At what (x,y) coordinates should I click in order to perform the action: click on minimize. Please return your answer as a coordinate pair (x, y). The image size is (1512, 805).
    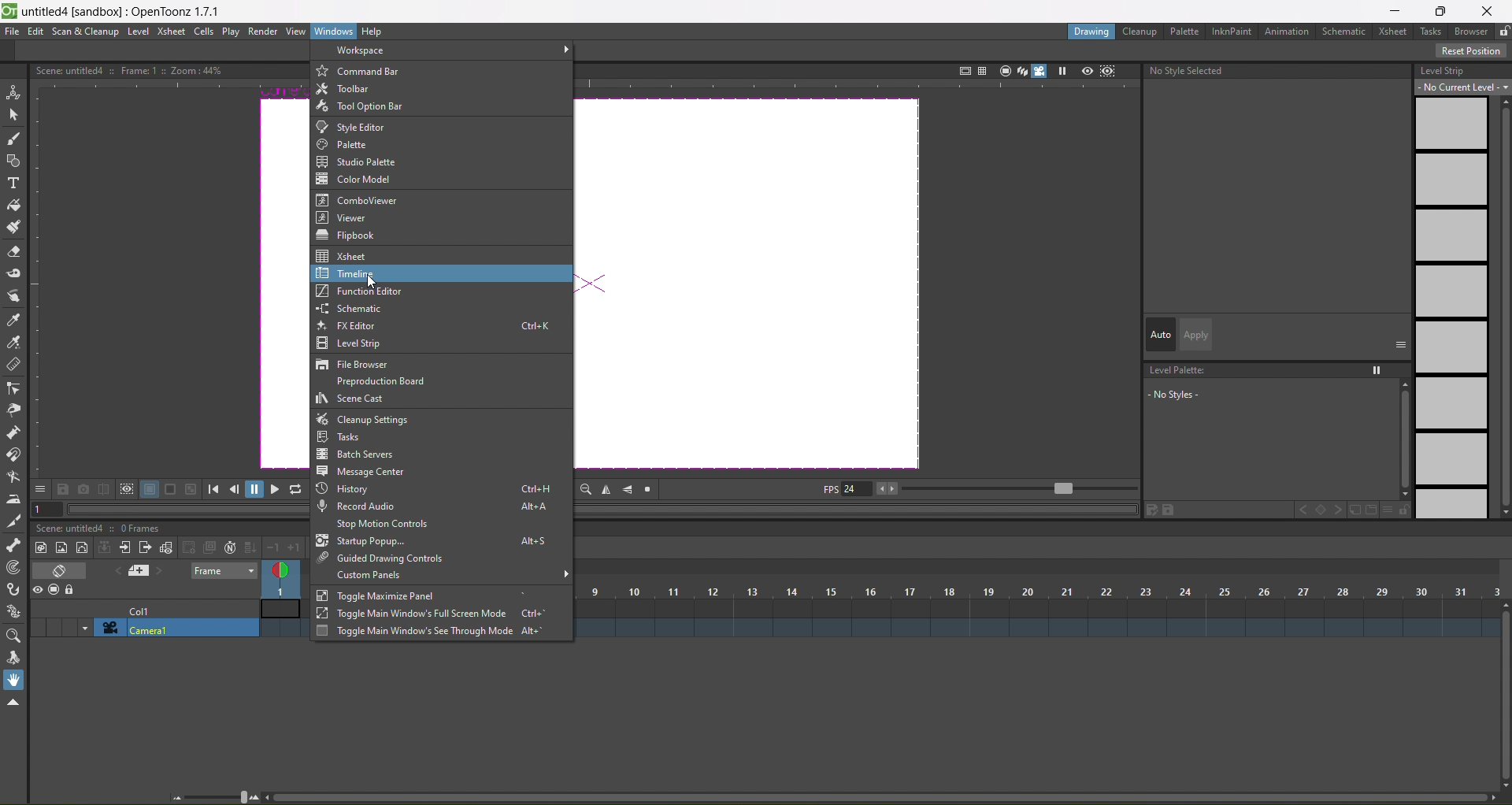
    Looking at the image, I should click on (1394, 11).